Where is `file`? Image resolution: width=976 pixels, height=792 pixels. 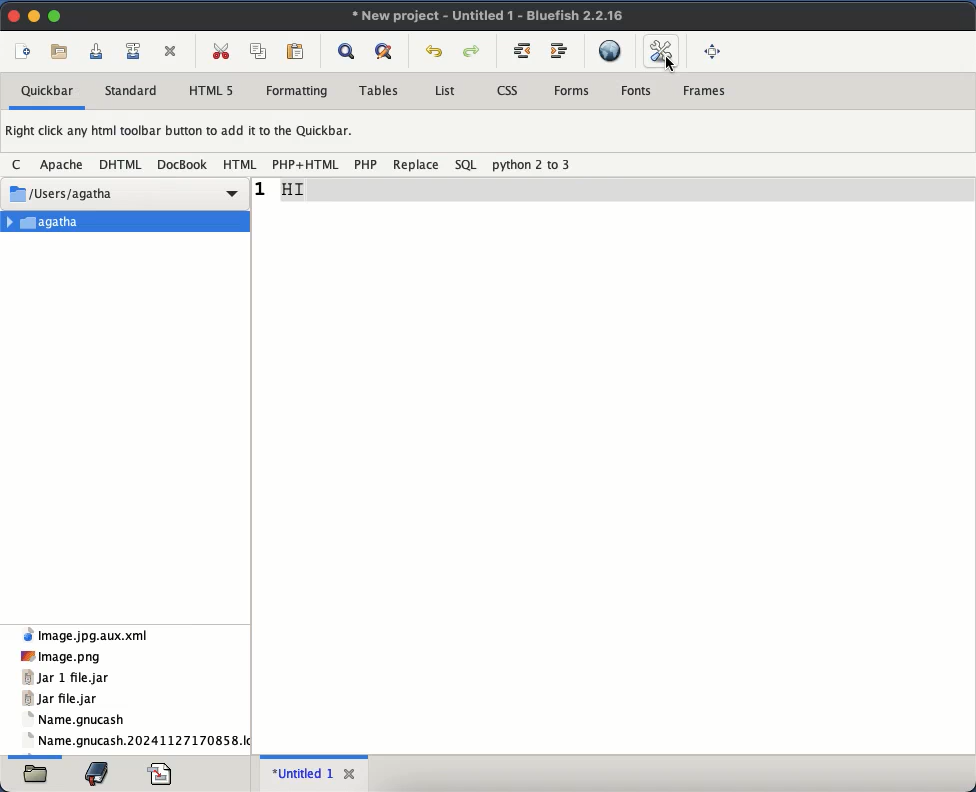 file is located at coordinates (37, 776).